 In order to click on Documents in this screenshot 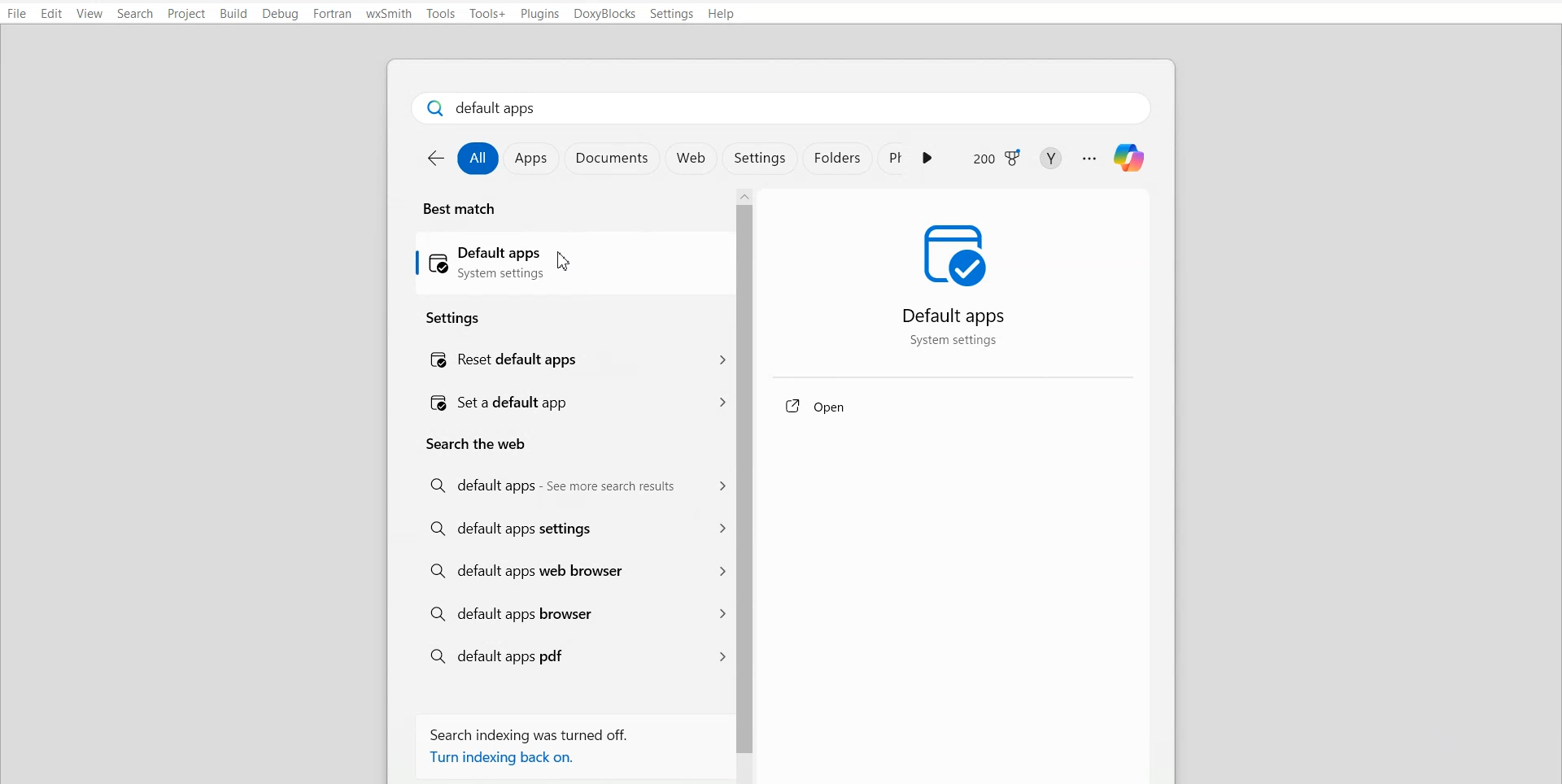, I will do `click(614, 159)`.